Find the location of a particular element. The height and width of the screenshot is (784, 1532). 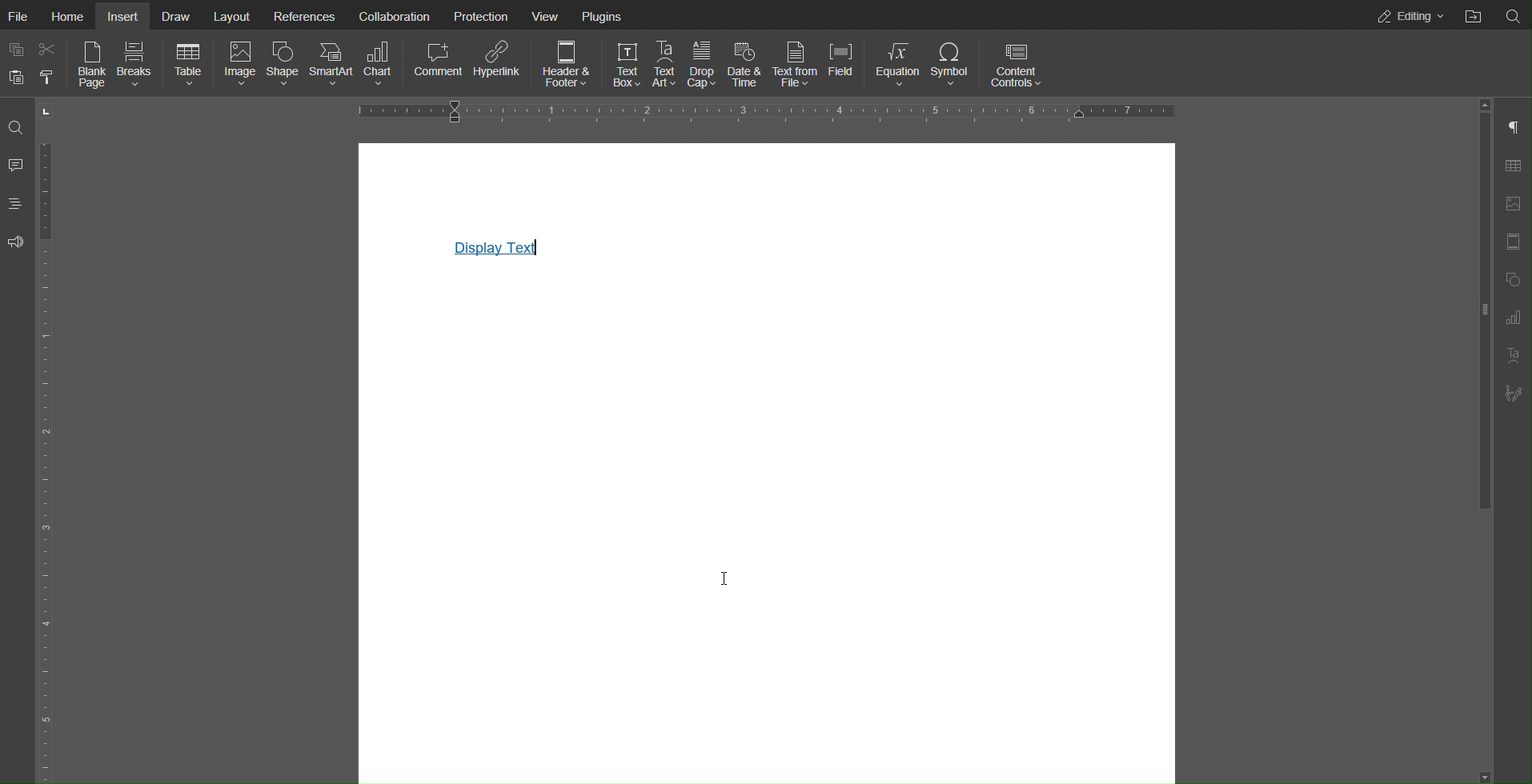

Date & Time is located at coordinates (750, 66).